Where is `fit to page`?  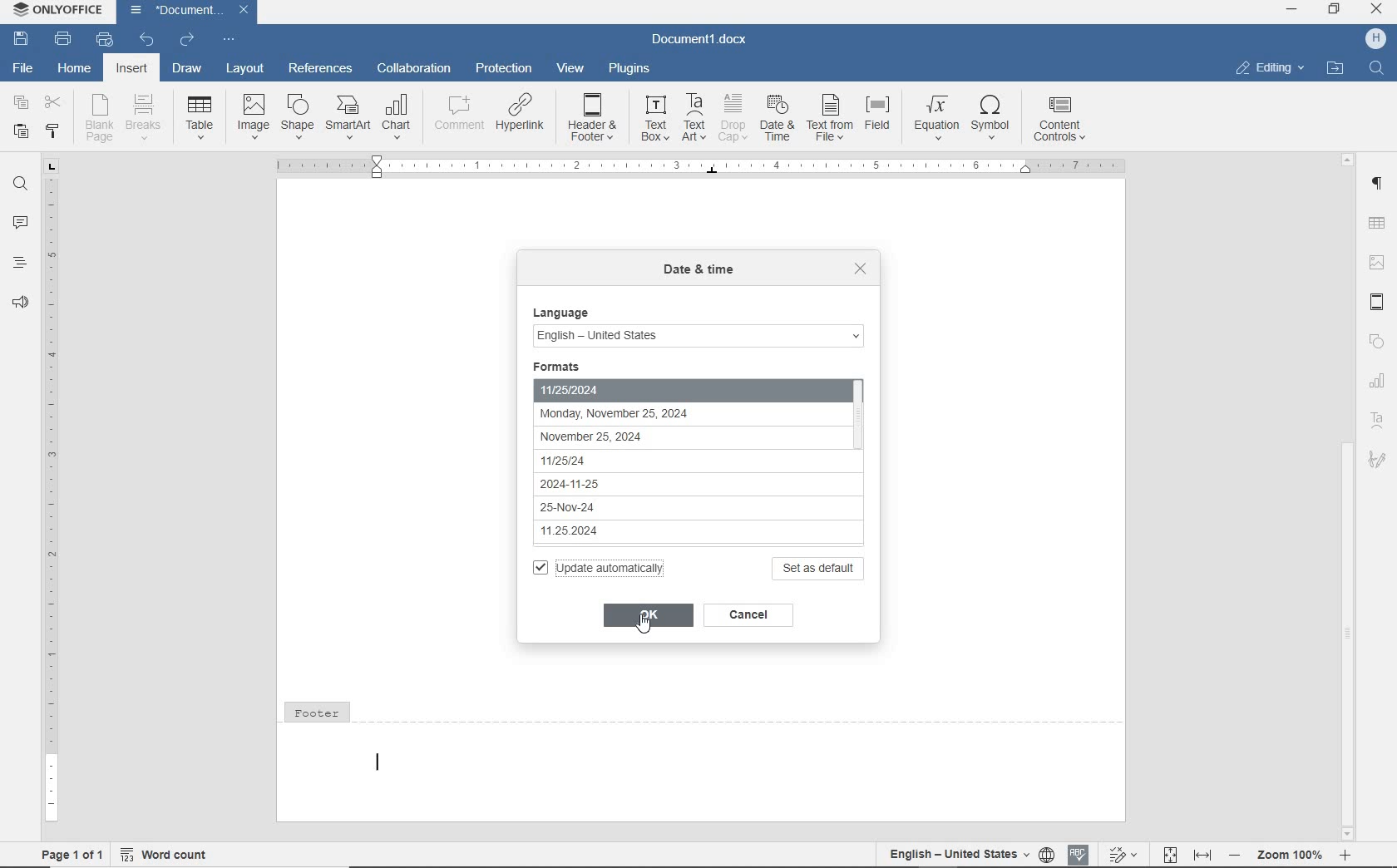
fit to page is located at coordinates (1169, 854).